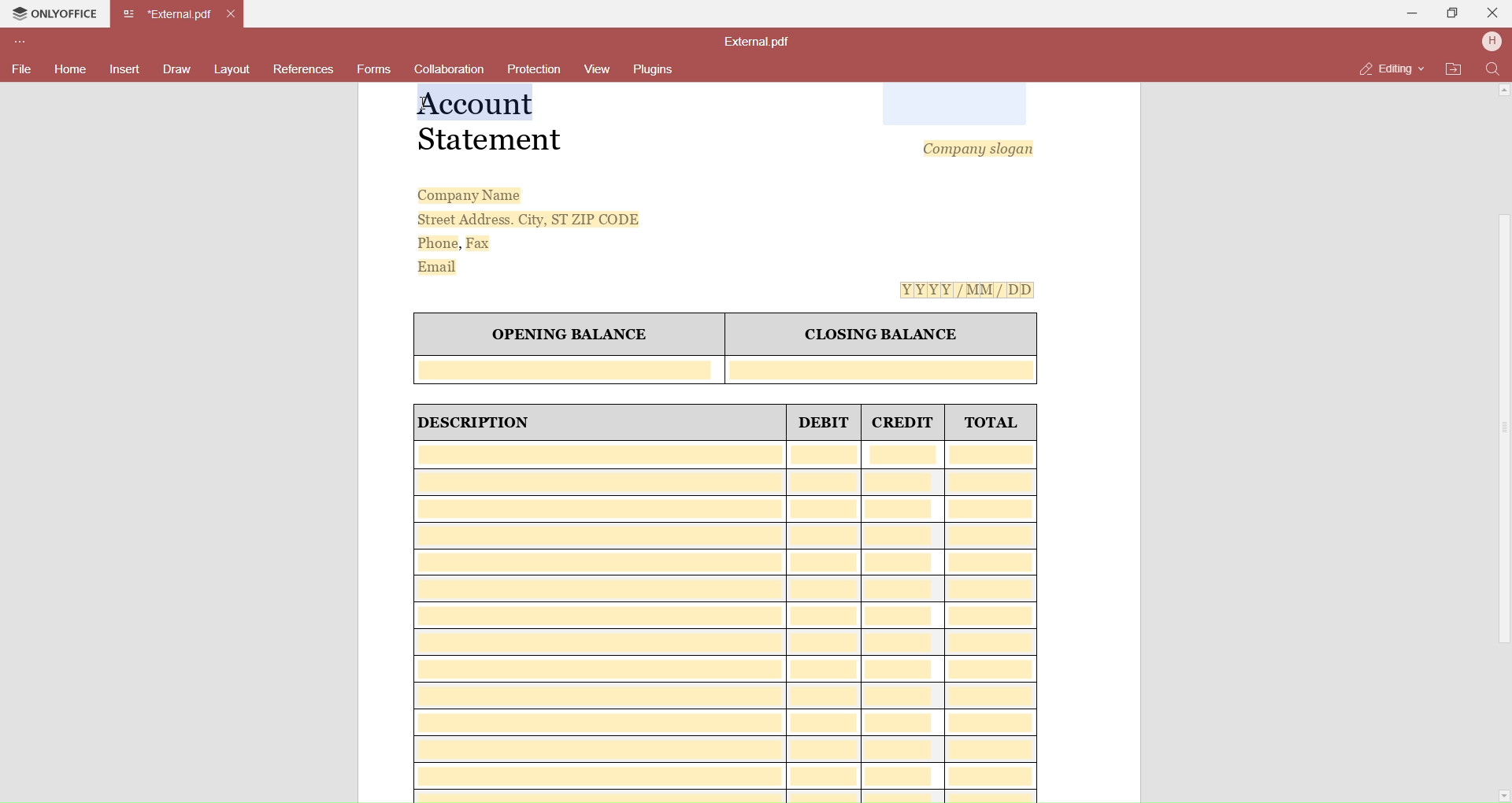  I want to click on View, so click(595, 70).